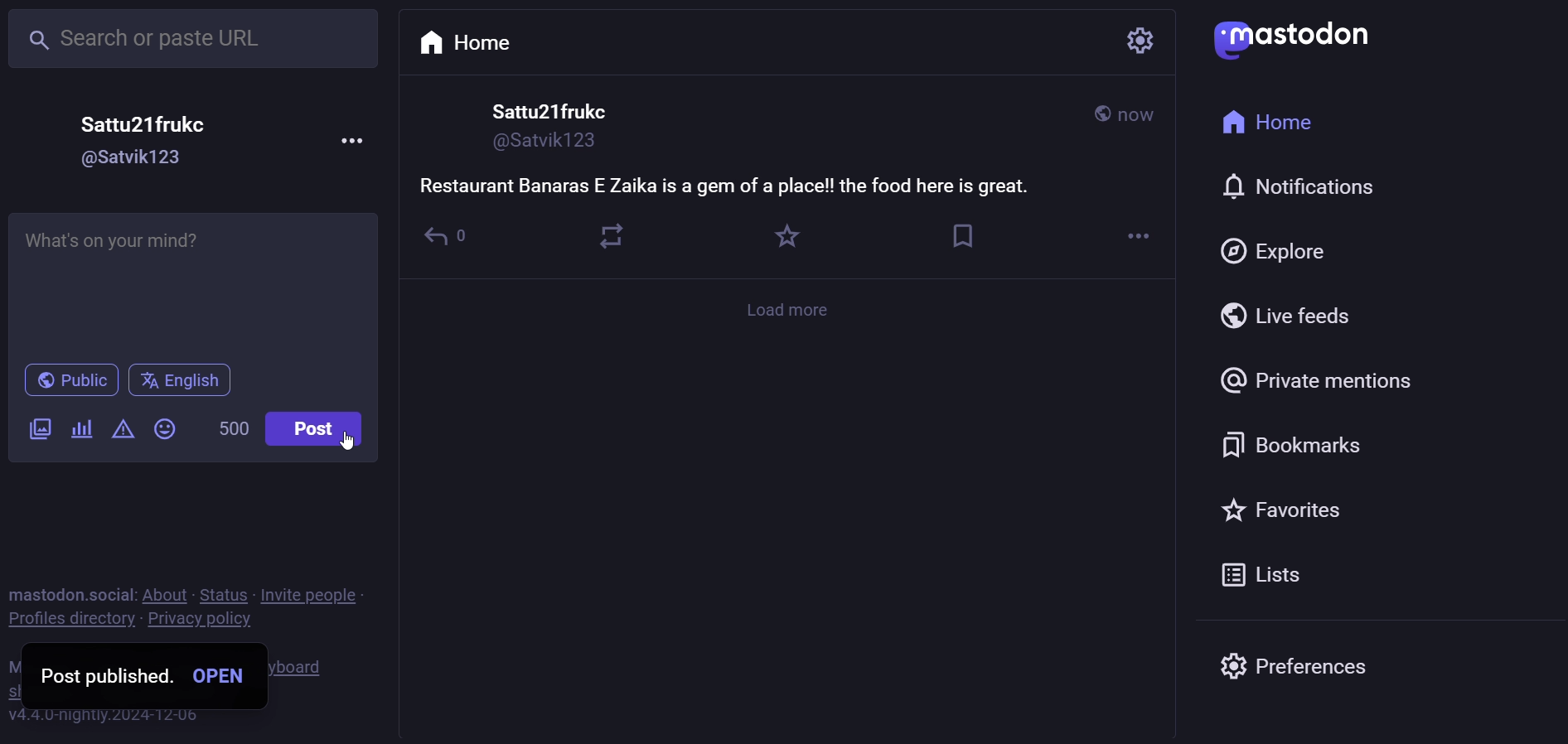 The height and width of the screenshot is (744, 1568). Describe the element at coordinates (167, 593) in the screenshot. I see `About` at that location.